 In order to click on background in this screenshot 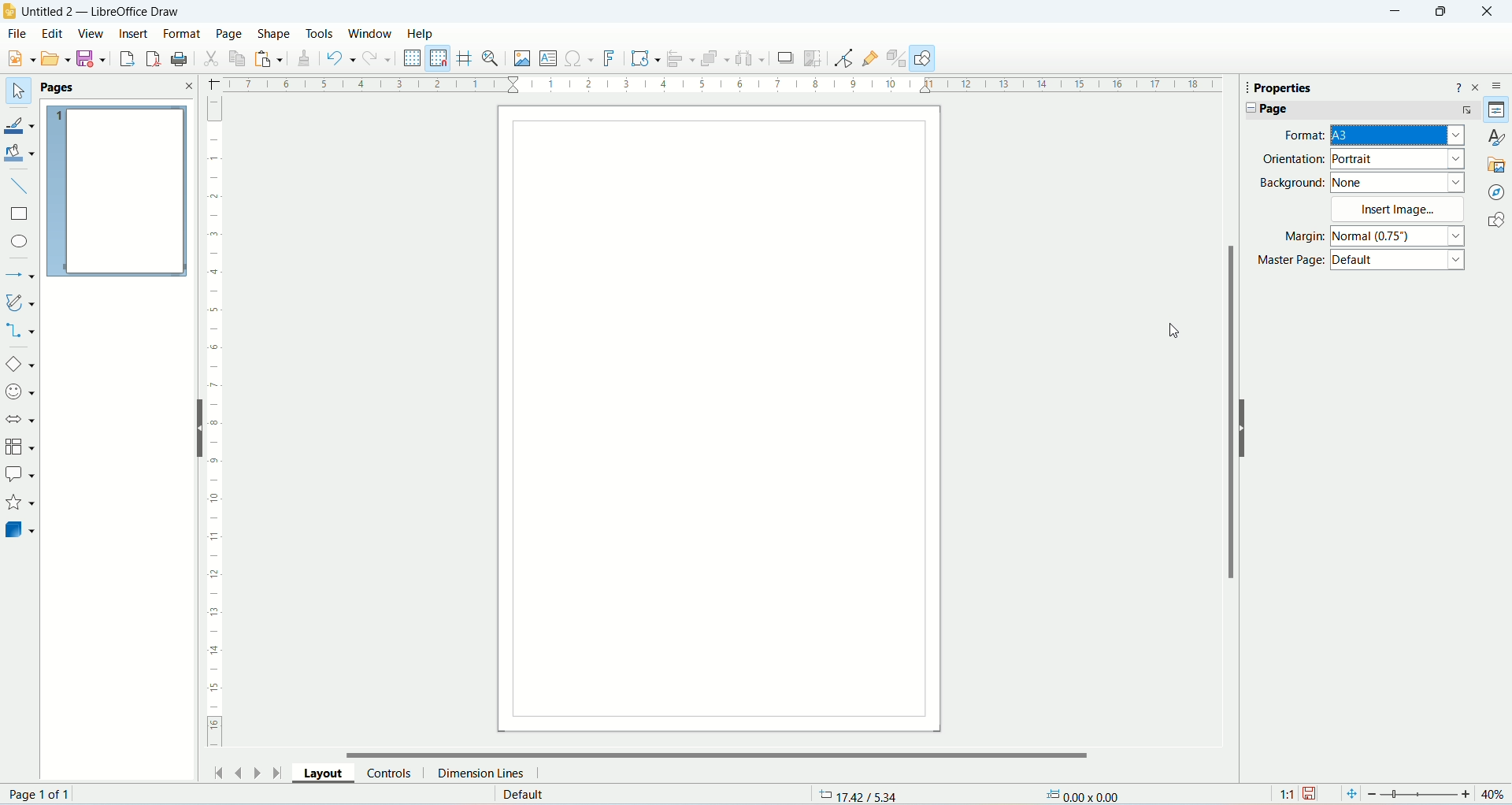, I will do `click(1362, 183)`.